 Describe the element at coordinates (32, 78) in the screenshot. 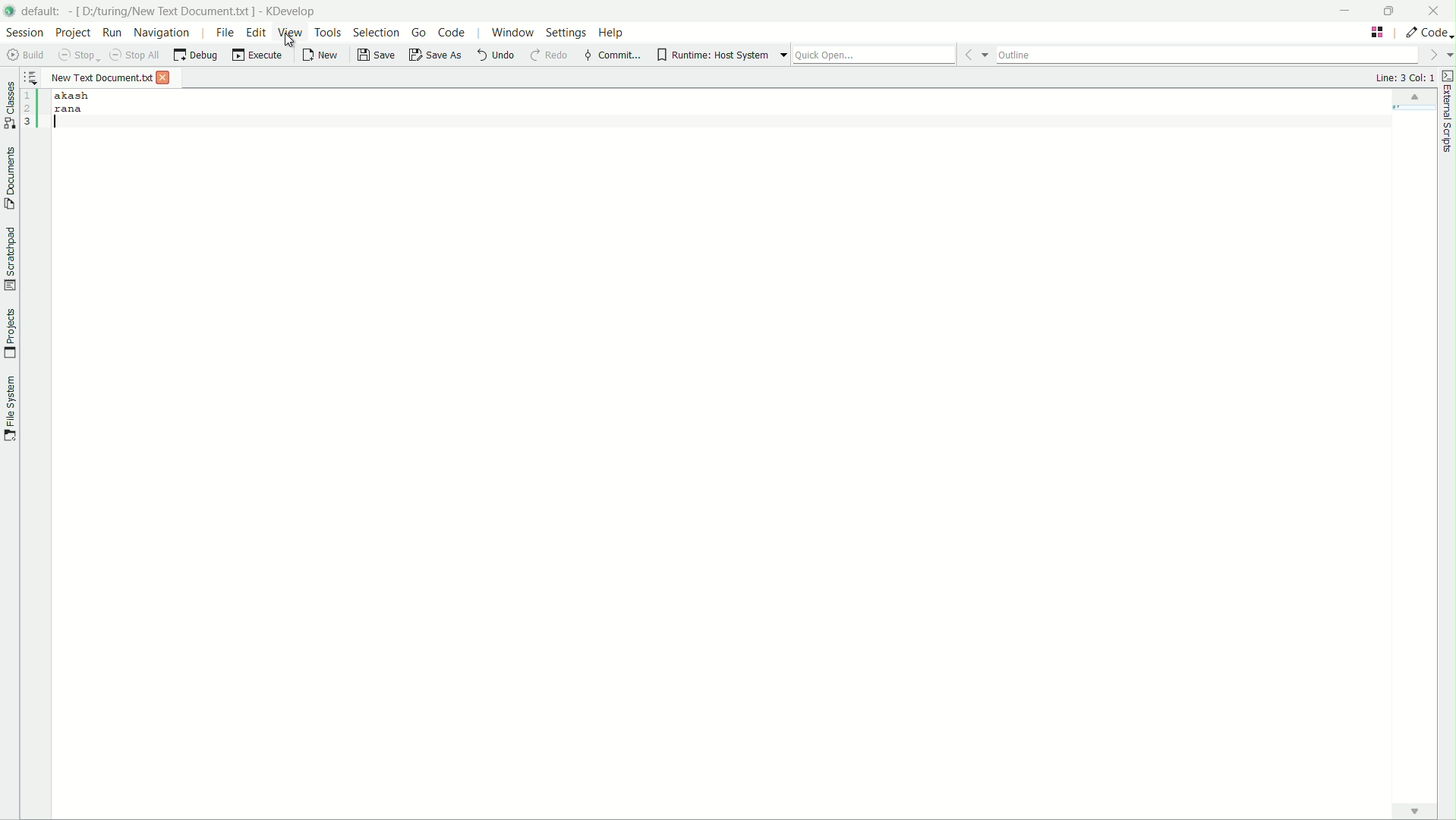

I see `show sorted list of opened documents` at that location.